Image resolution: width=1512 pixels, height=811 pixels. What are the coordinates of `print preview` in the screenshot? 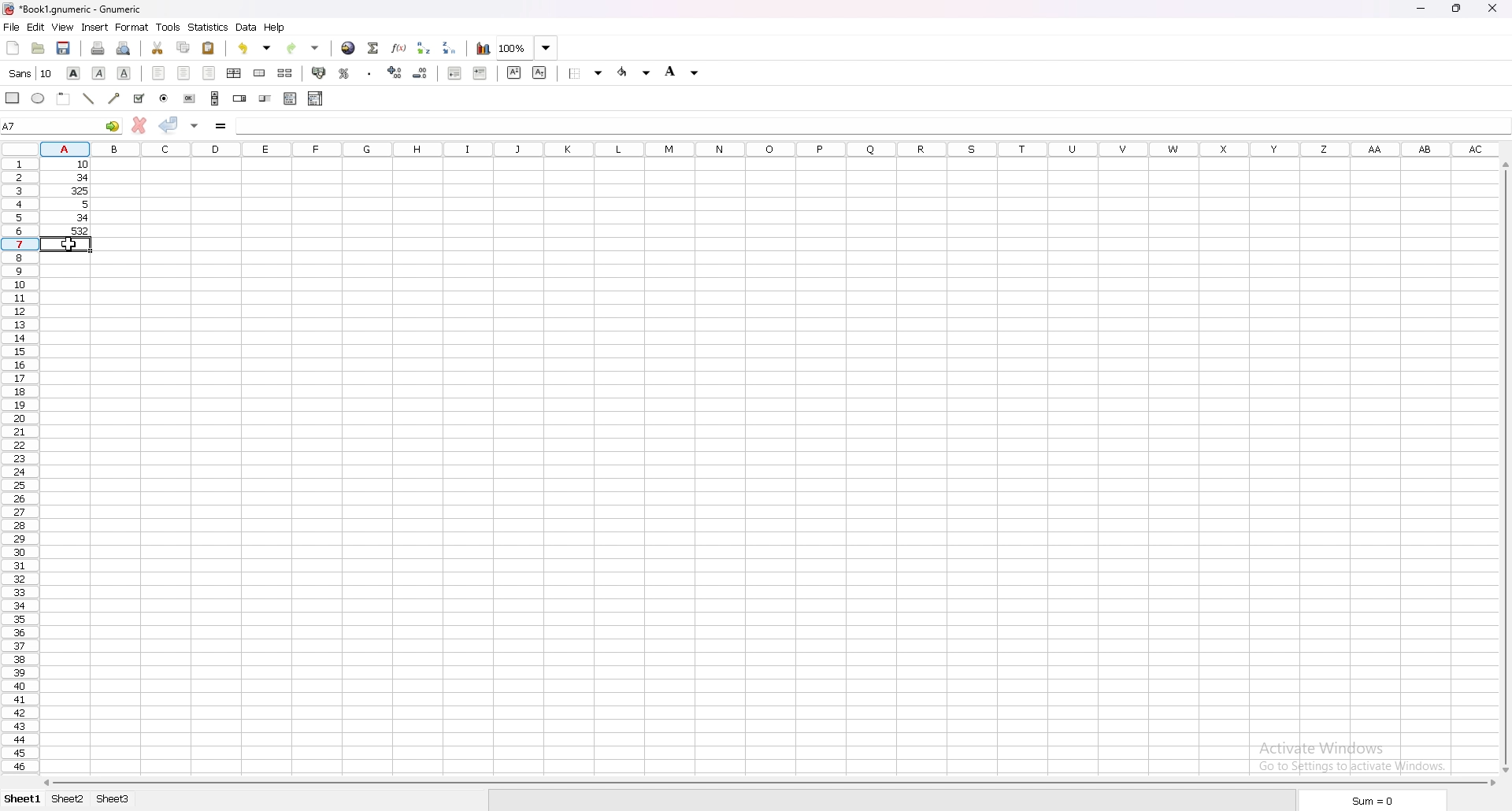 It's located at (124, 48).